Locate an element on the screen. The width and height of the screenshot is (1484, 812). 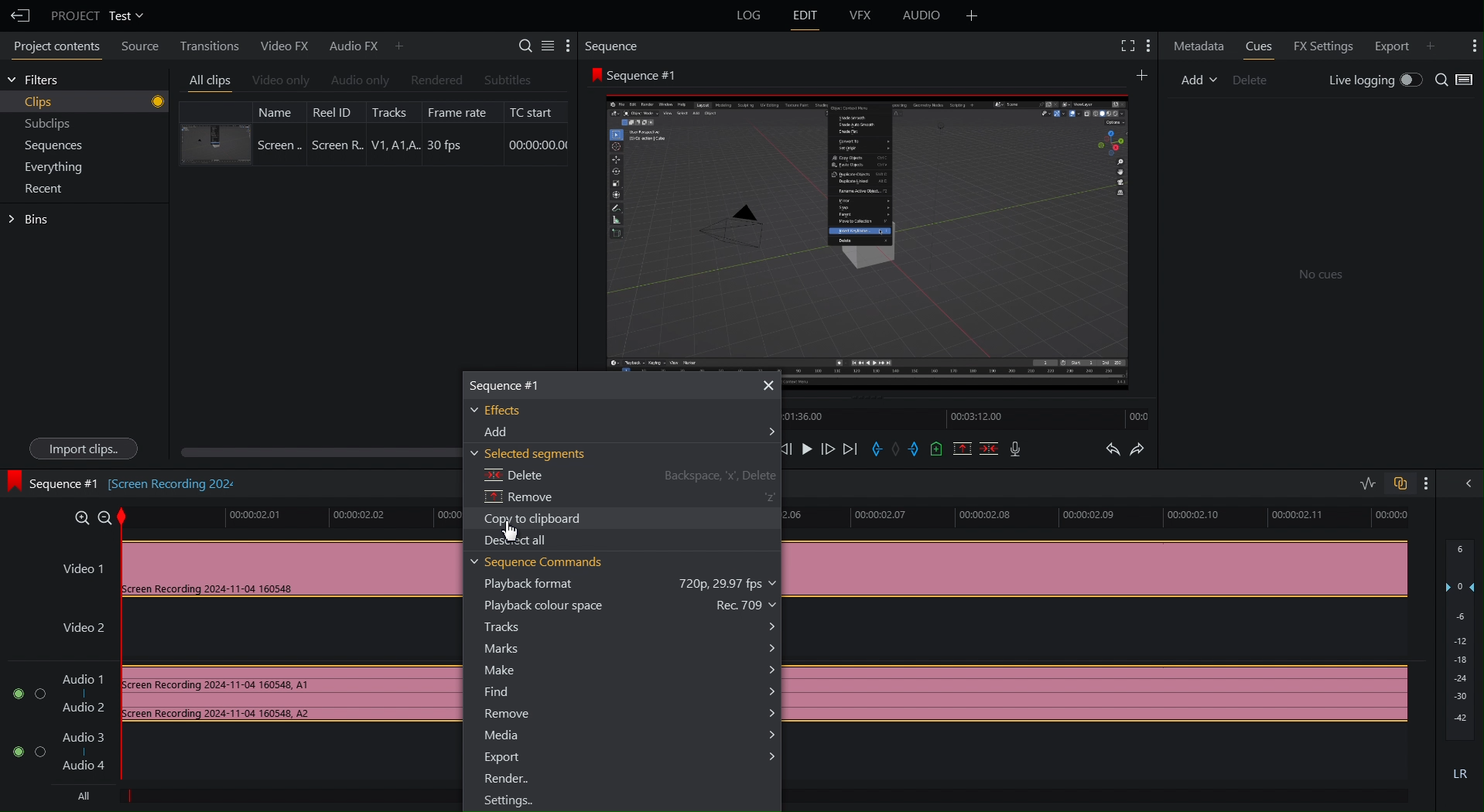
Transitions is located at coordinates (211, 45).